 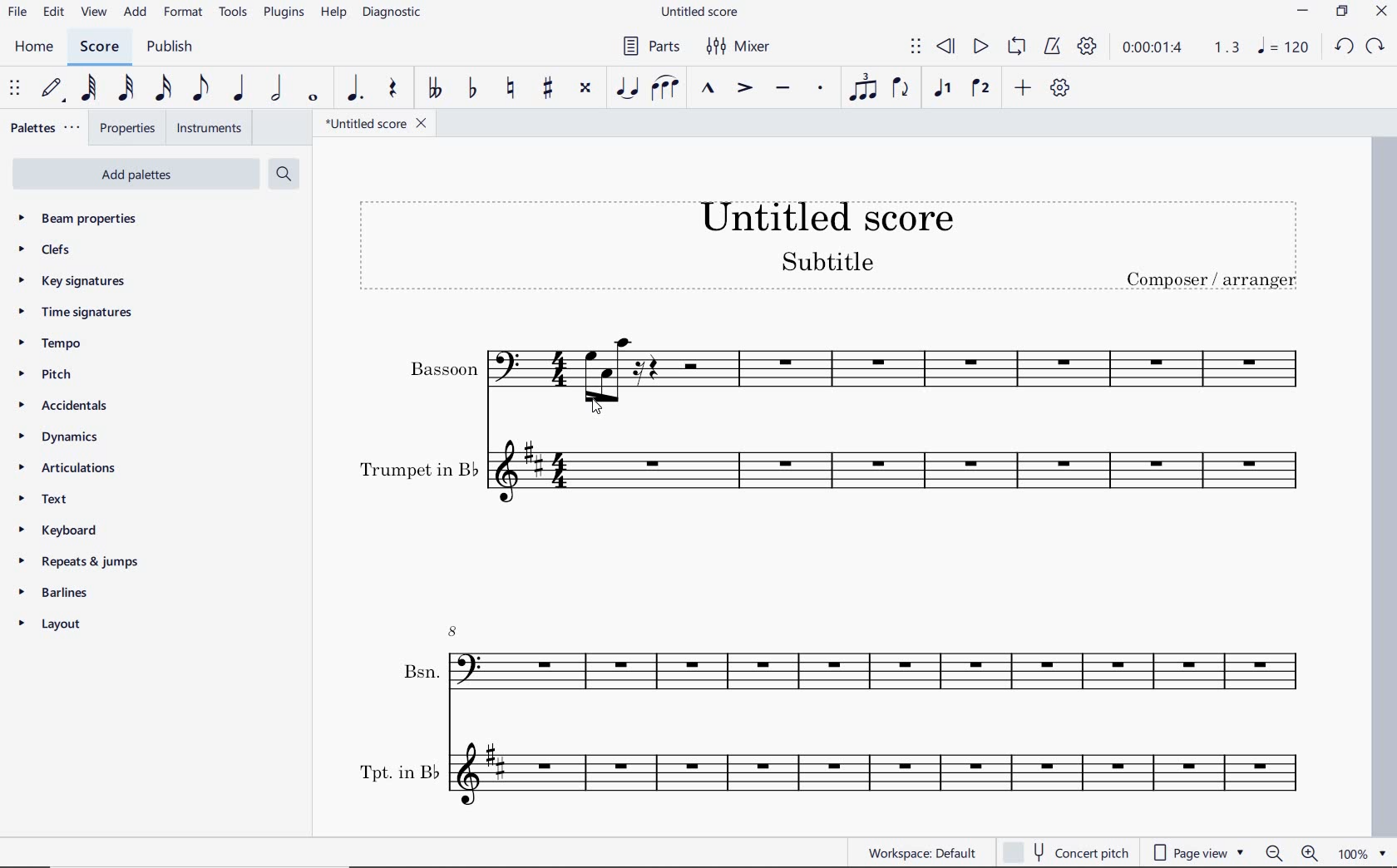 What do you see at coordinates (278, 90) in the screenshot?
I see `half note` at bounding box center [278, 90].